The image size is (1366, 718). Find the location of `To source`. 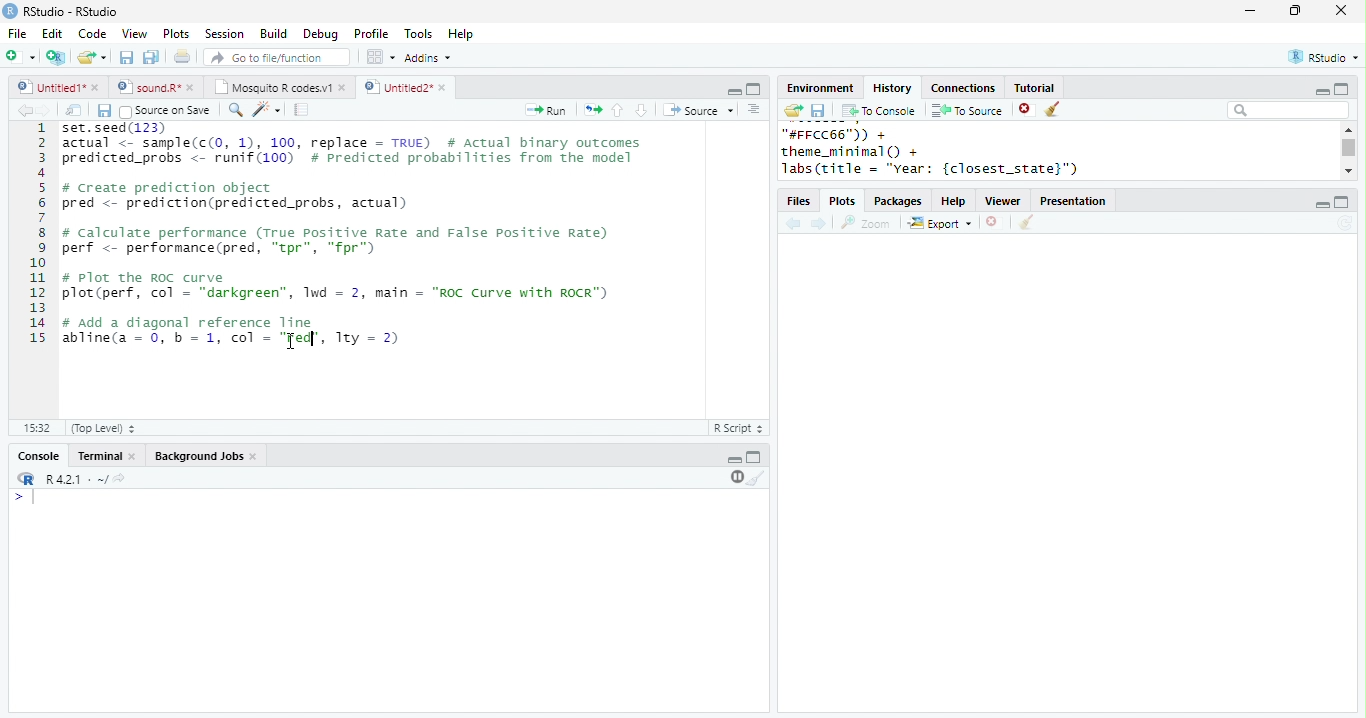

To source is located at coordinates (967, 110).